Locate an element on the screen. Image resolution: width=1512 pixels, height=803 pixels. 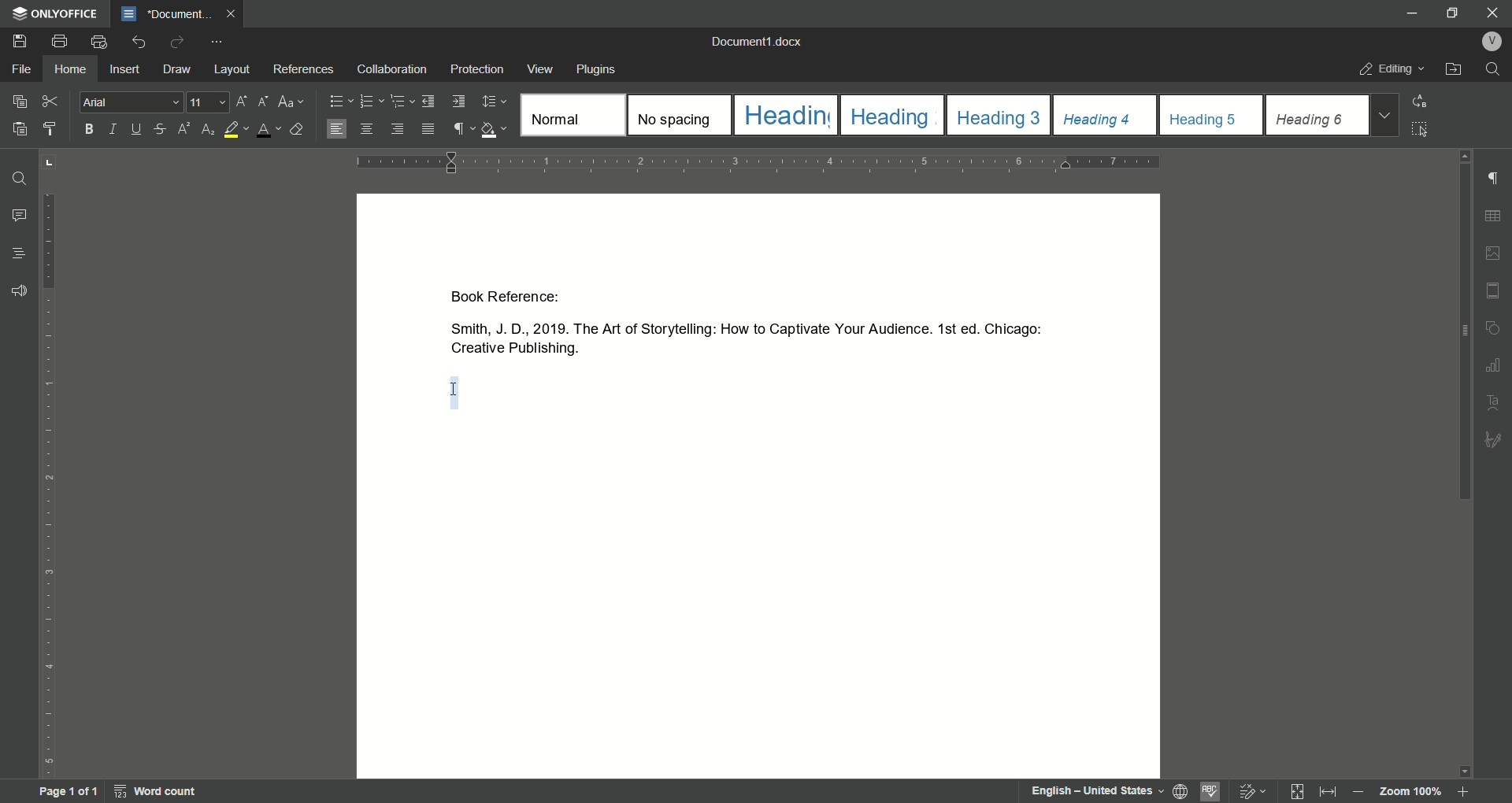
underline is located at coordinates (138, 130).